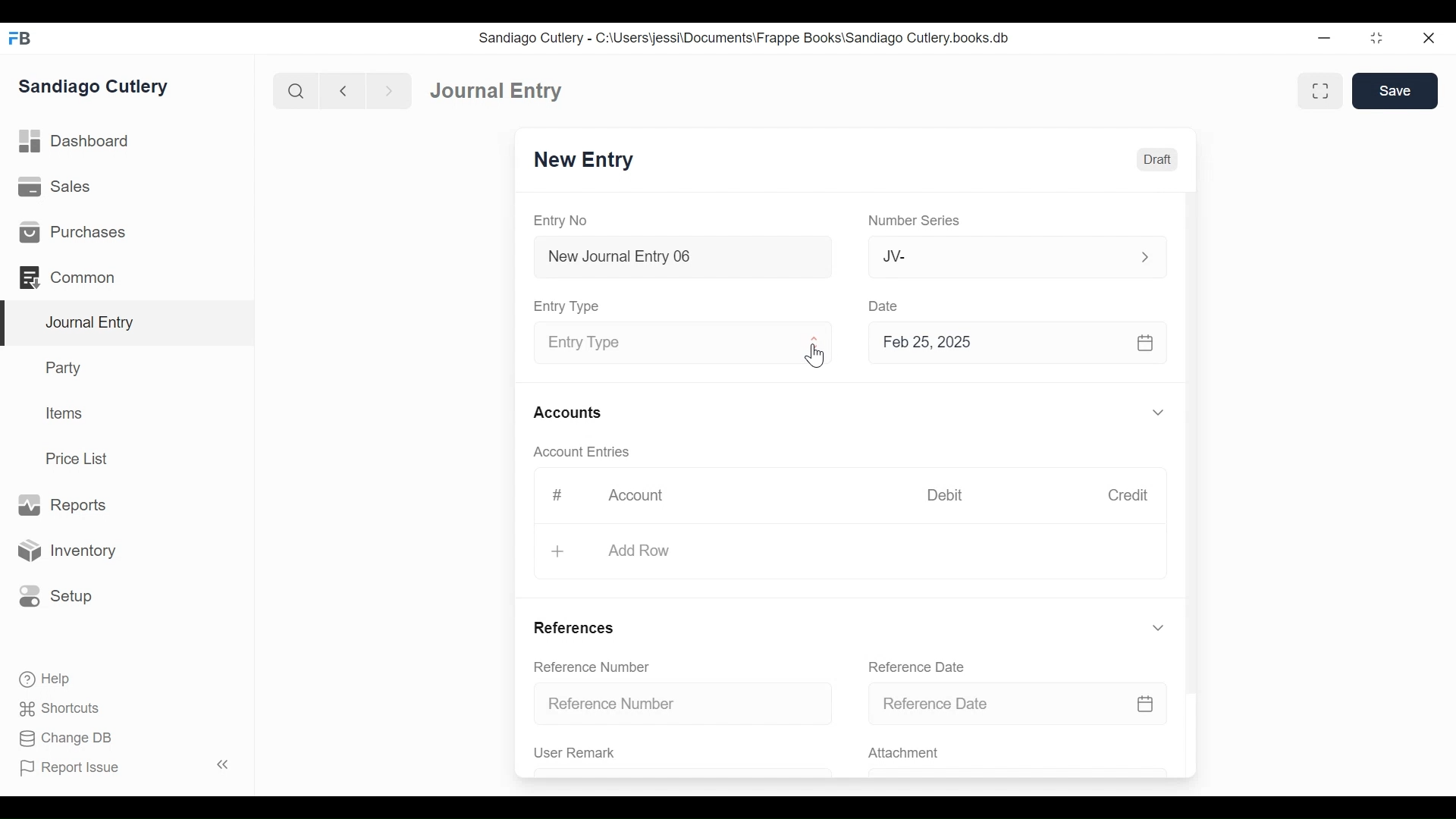 The width and height of the screenshot is (1456, 819). I want to click on Journal Entry, so click(497, 89).